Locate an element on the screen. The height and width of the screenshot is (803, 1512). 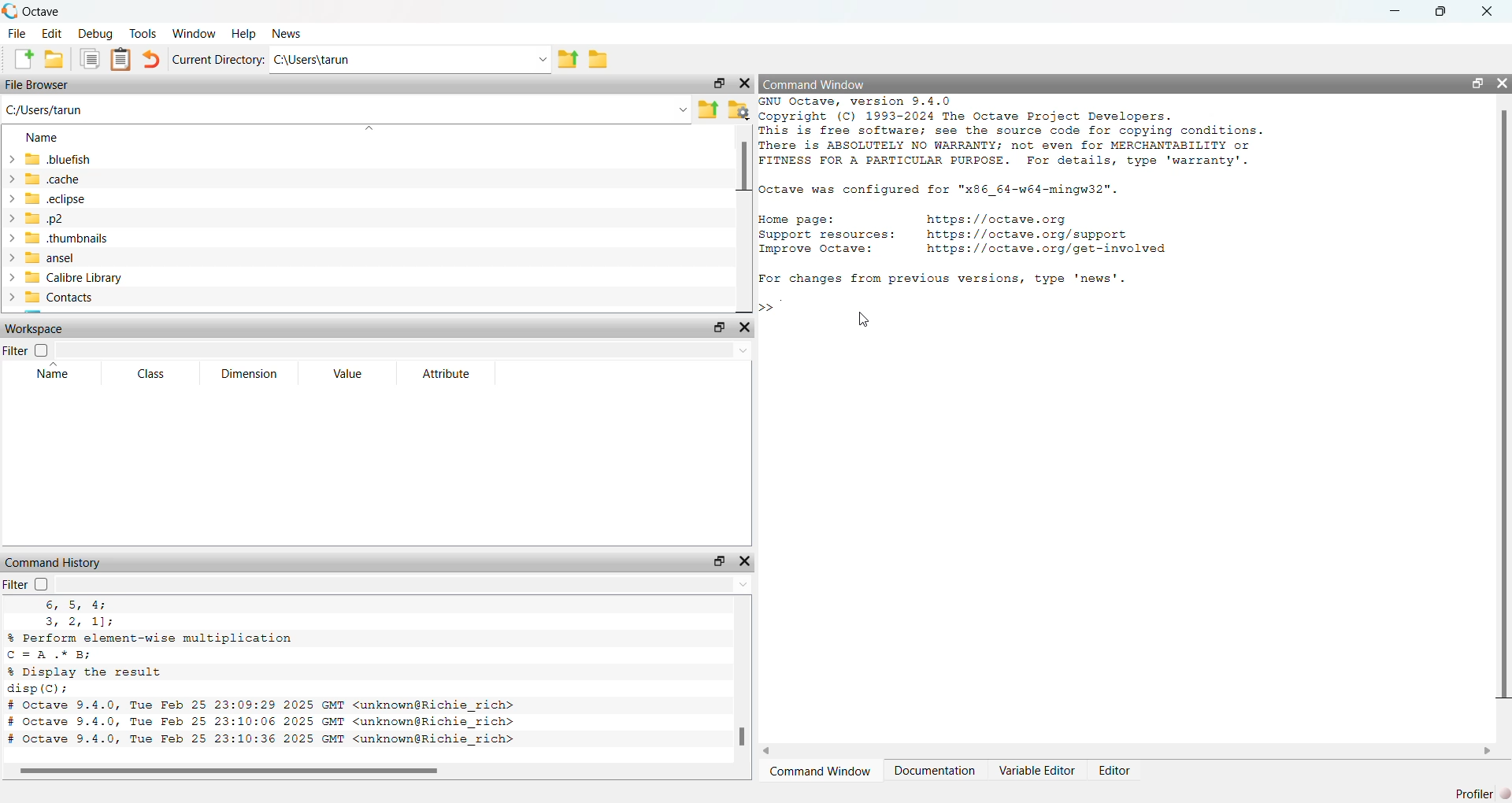
Close is located at coordinates (745, 328).